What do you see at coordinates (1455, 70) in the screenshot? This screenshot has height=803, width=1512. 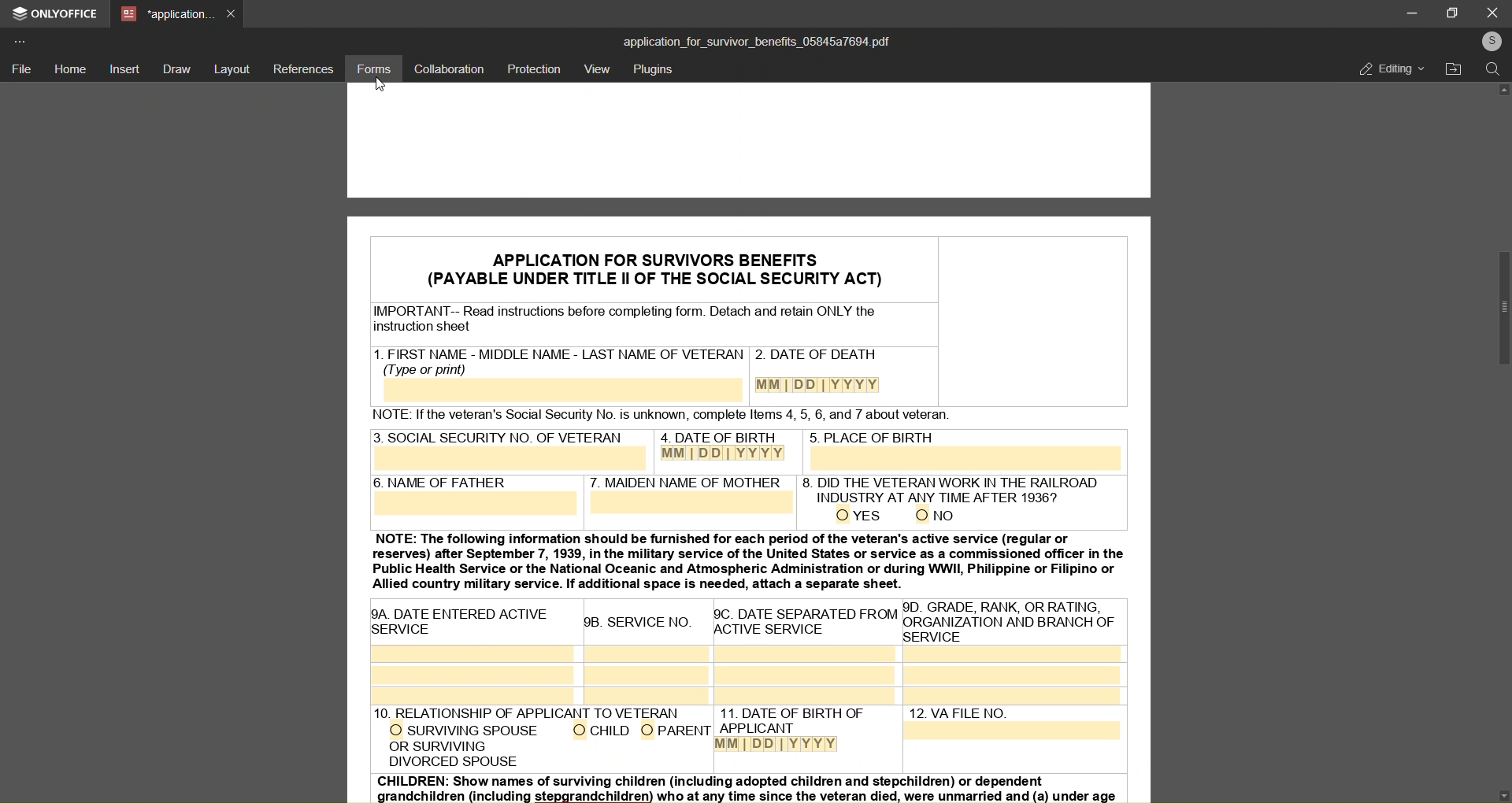 I see `open file` at bounding box center [1455, 70].